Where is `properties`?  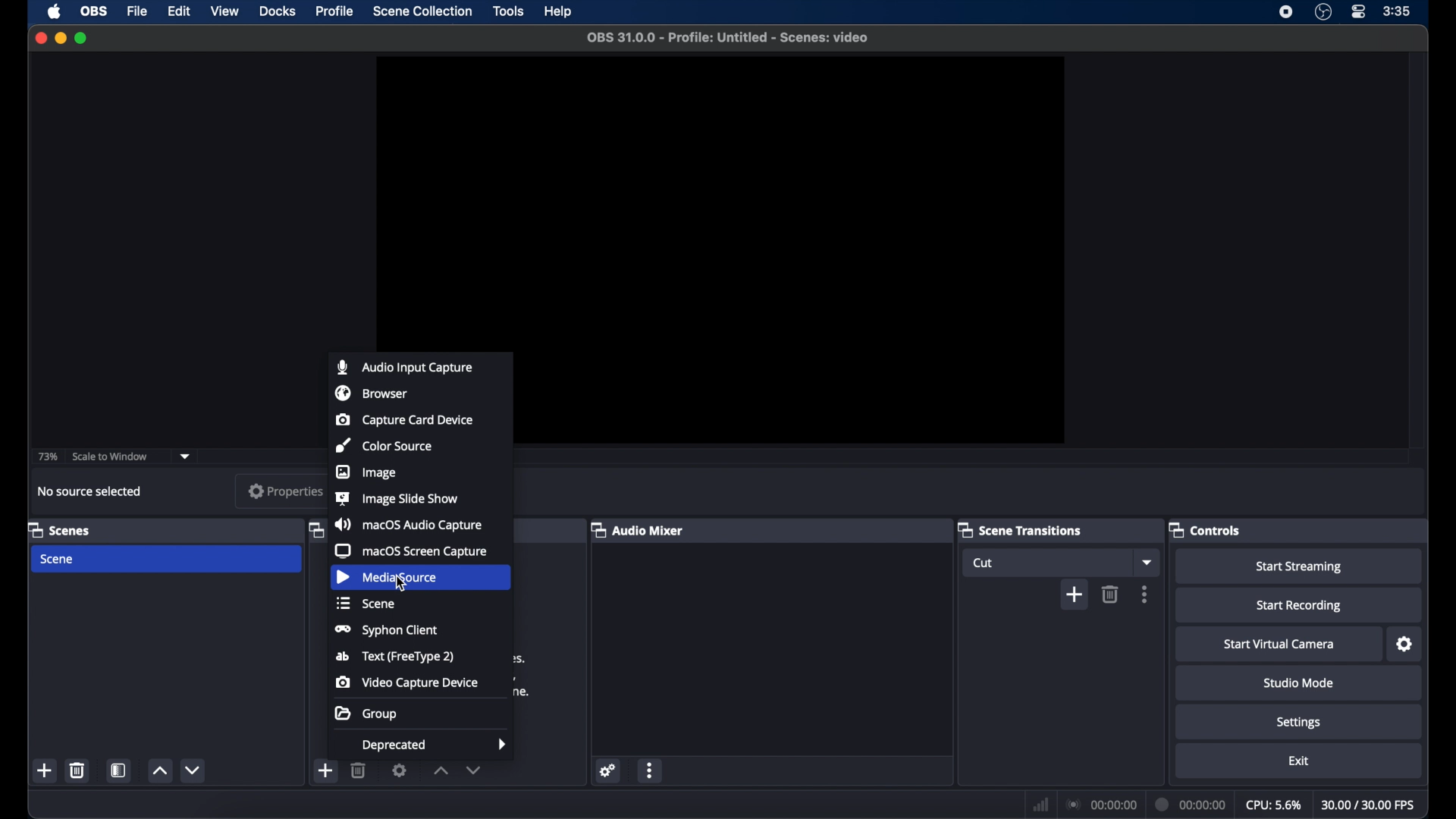
properties is located at coordinates (283, 491).